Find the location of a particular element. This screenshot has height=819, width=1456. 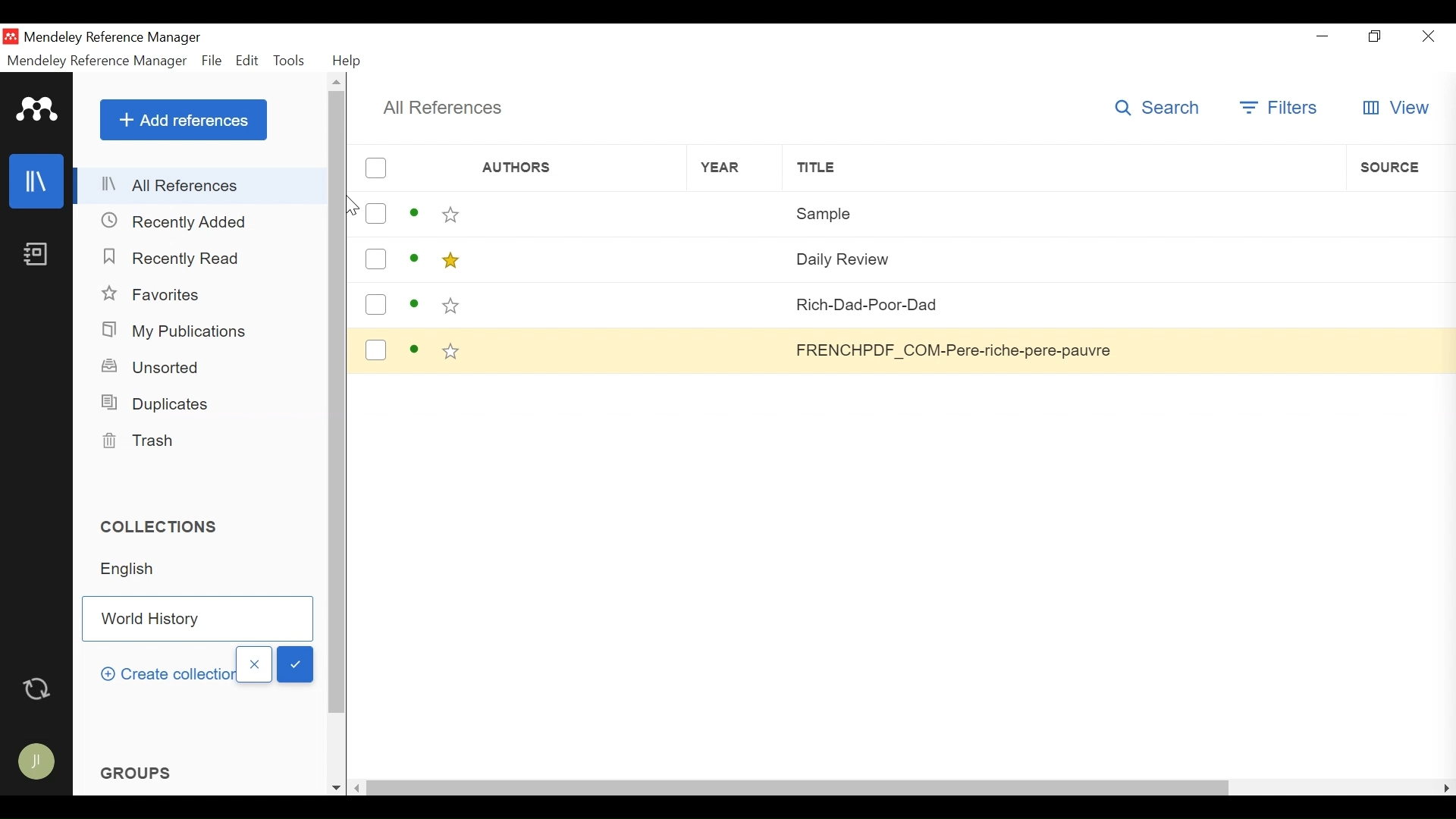

Scroll Right is located at coordinates (1447, 787).